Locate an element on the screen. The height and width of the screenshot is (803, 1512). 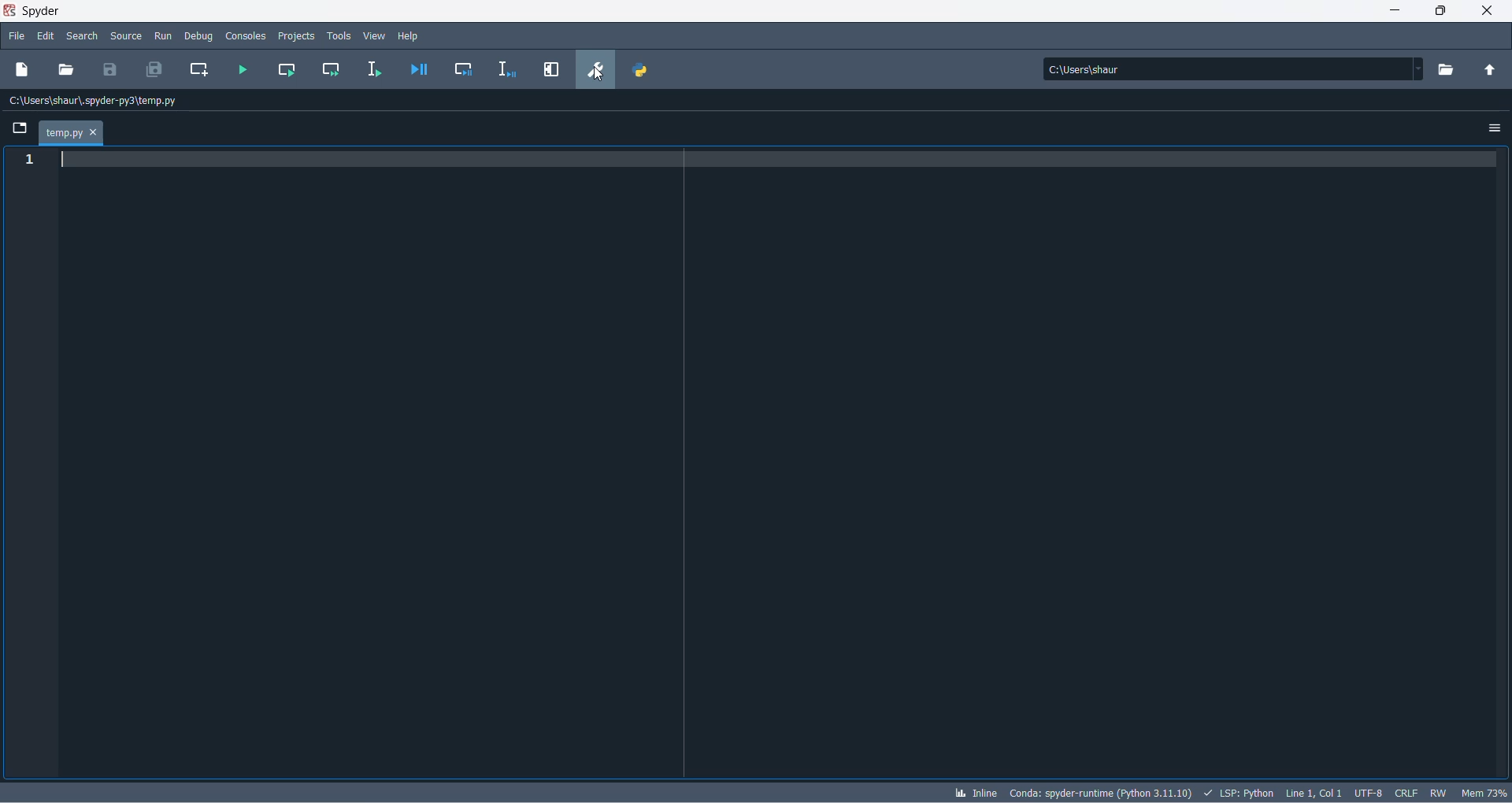
debug selection is located at coordinates (509, 71).